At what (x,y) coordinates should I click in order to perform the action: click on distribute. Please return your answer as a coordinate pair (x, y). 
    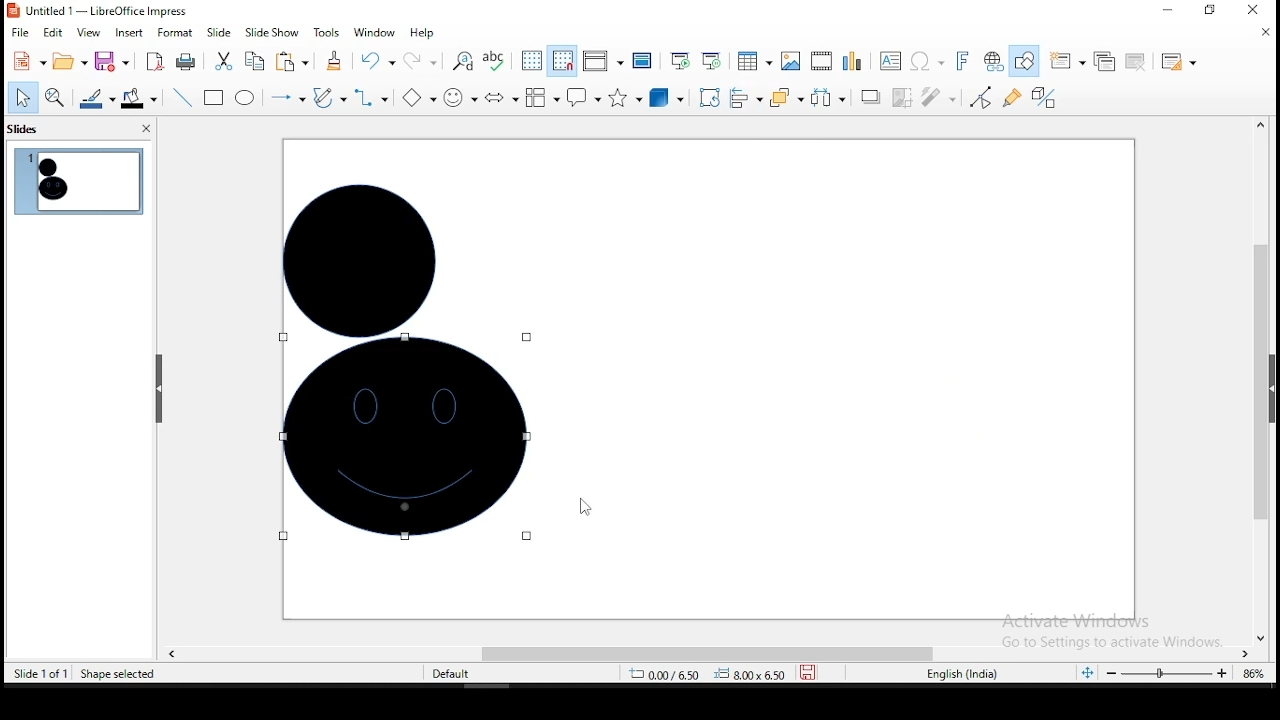
    Looking at the image, I should click on (827, 98).